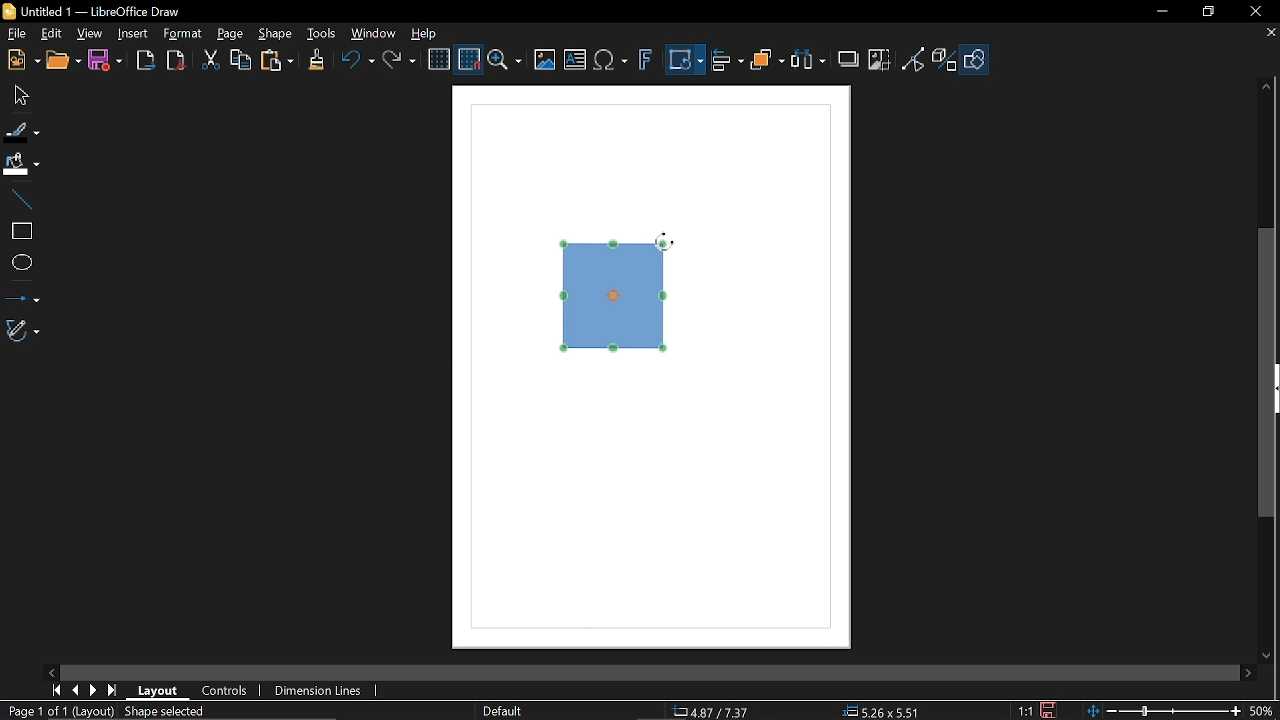  What do you see at coordinates (1272, 33) in the screenshot?
I see `Close tab` at bounding box center [1272, 33].